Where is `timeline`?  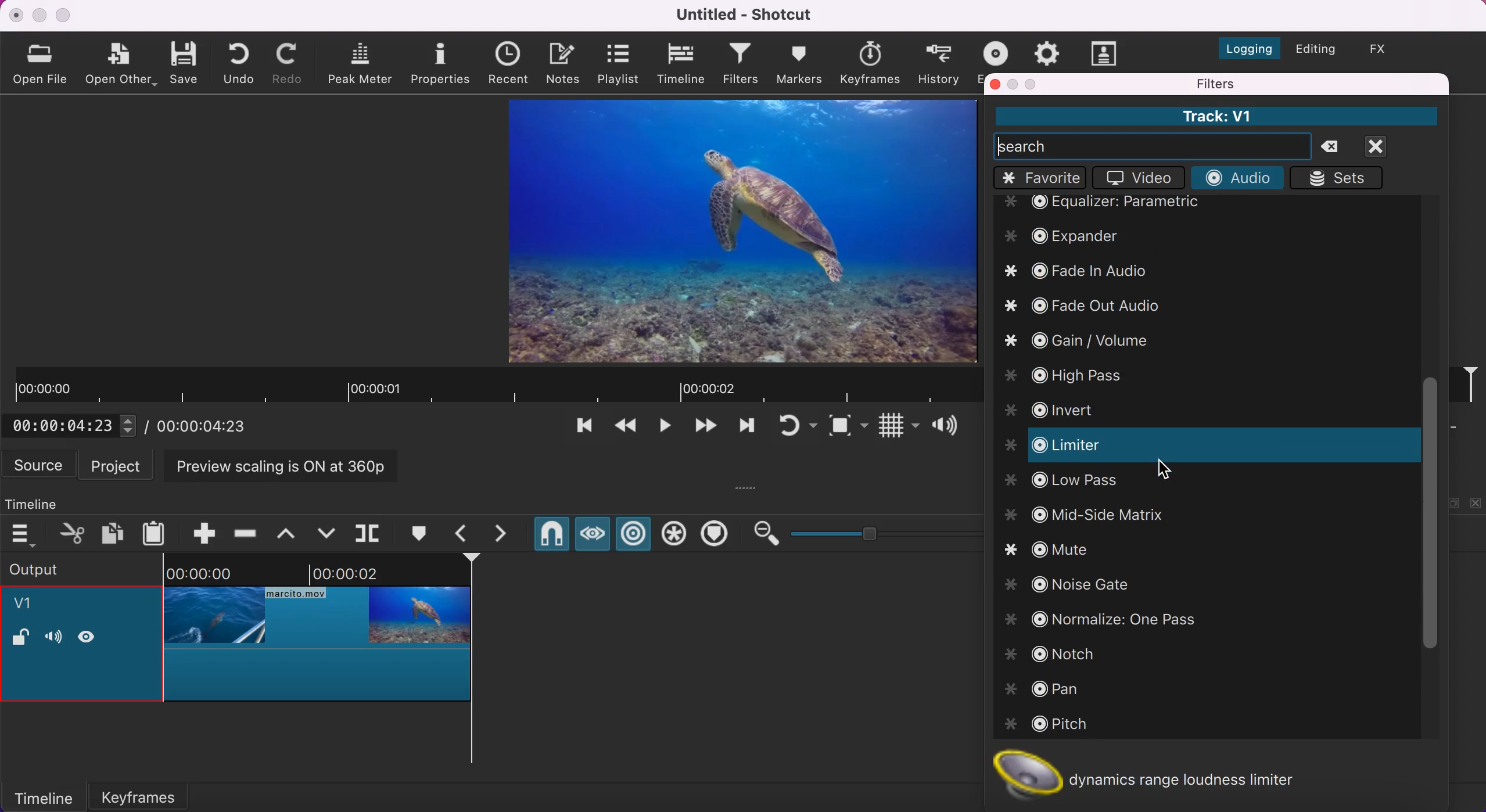
timeline is located at coordinates (683, 64).